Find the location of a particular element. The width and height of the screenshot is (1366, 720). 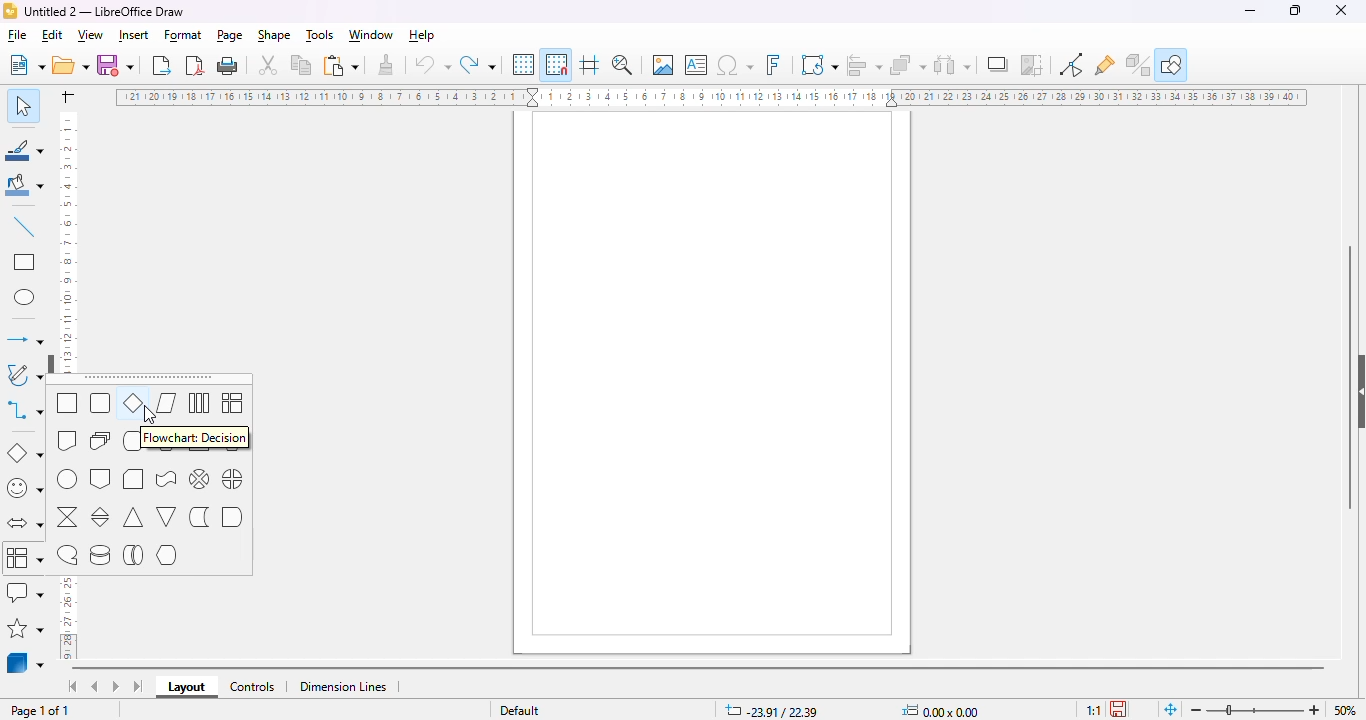

scroll to first sheet is located at coordinates (73, 685).